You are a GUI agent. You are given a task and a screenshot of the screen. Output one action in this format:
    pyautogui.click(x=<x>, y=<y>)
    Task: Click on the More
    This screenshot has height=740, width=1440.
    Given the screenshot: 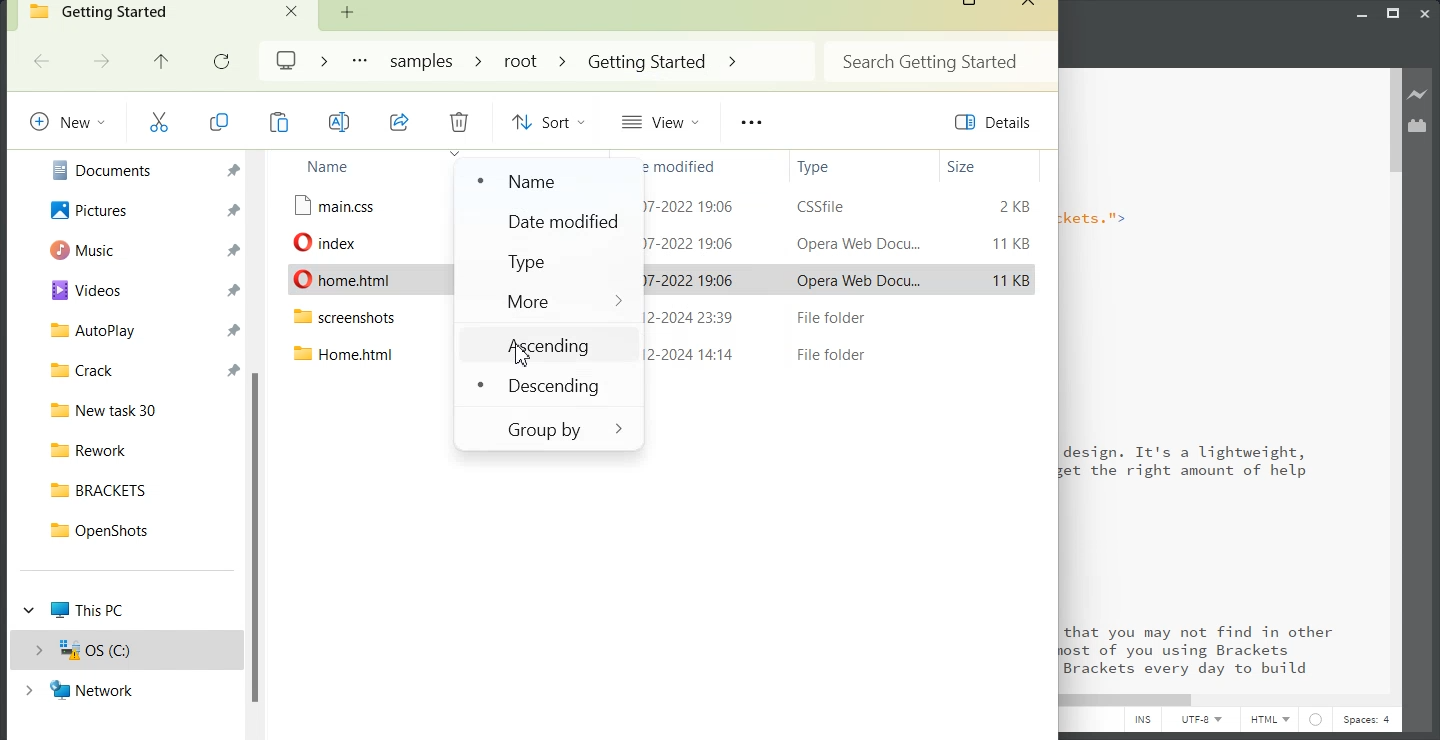 What is the action you would take?
    pyautogui.click(x=358, y=61)
    